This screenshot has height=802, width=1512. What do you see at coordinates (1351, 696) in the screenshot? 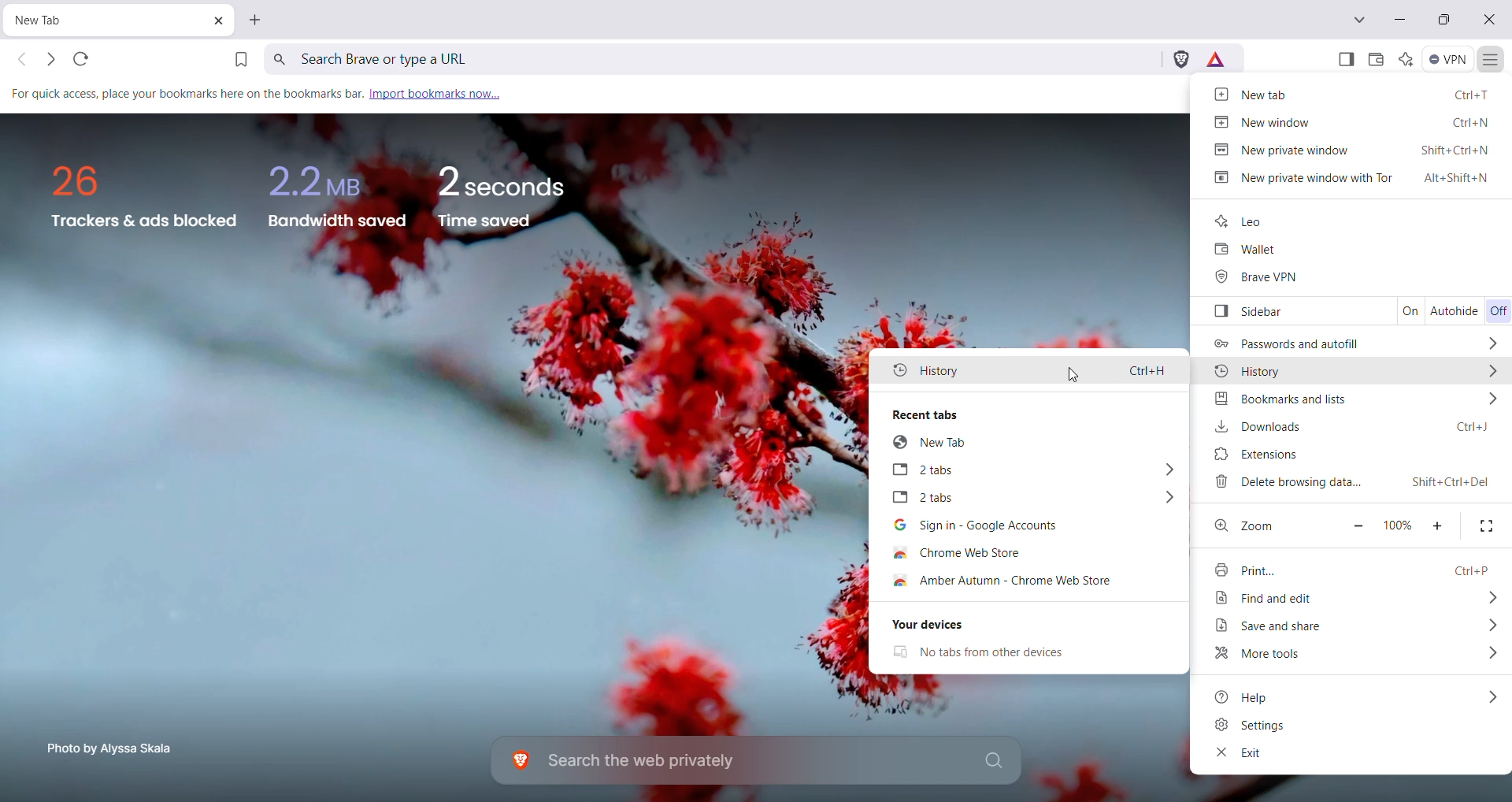
I see `Help` at bounding box center [1351, 696].